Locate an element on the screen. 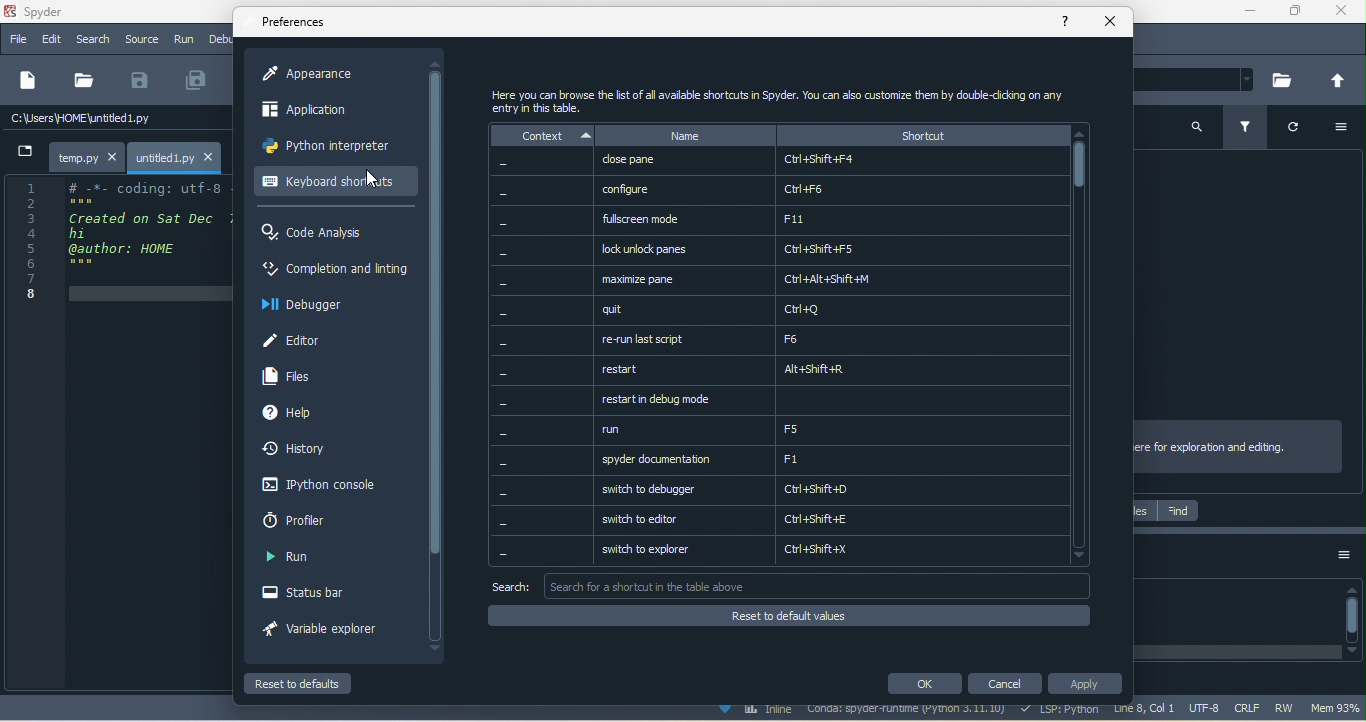 This screenshot has width=1366, height=722. titled is located at coordinates (64, 13).